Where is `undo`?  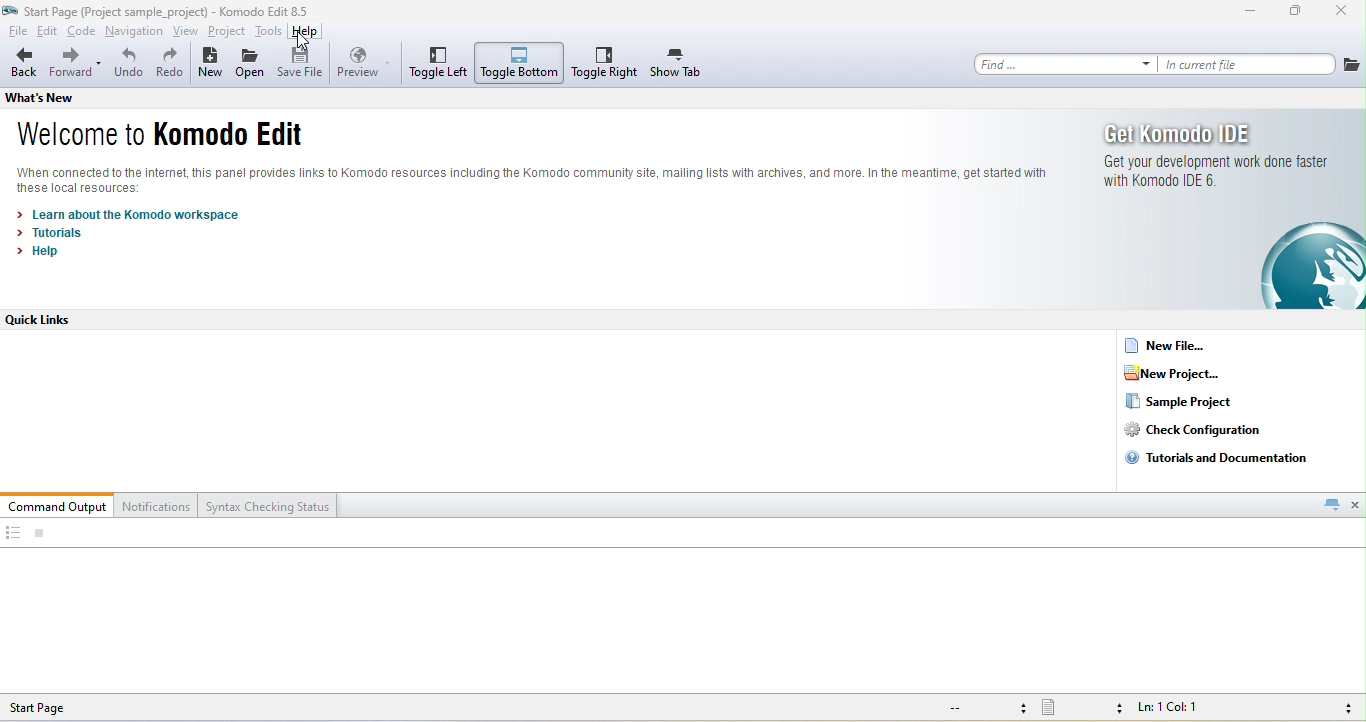 undo is located at coordinates (128, 66).